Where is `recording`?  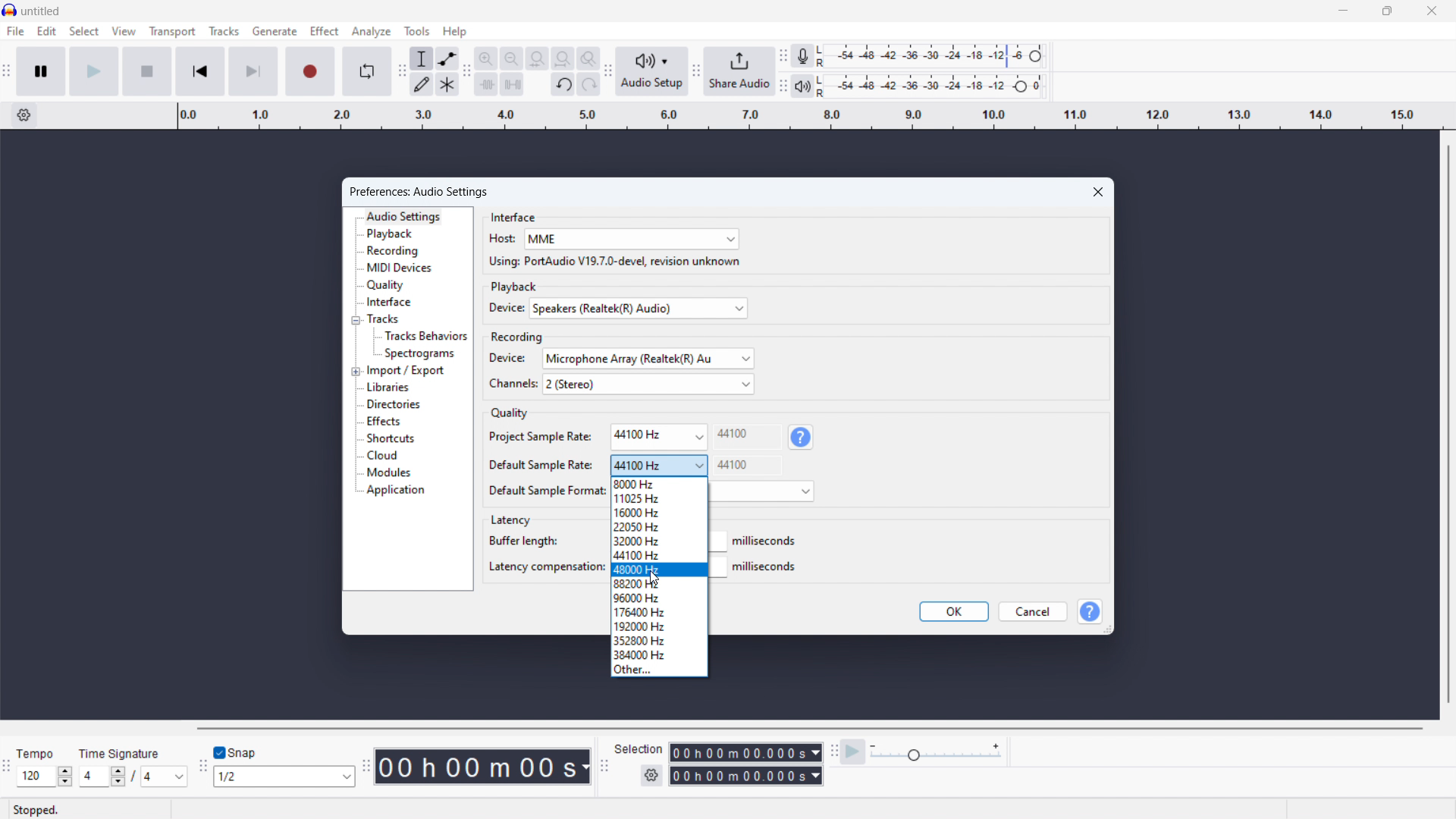 recording is located at coordinates (394, 251).